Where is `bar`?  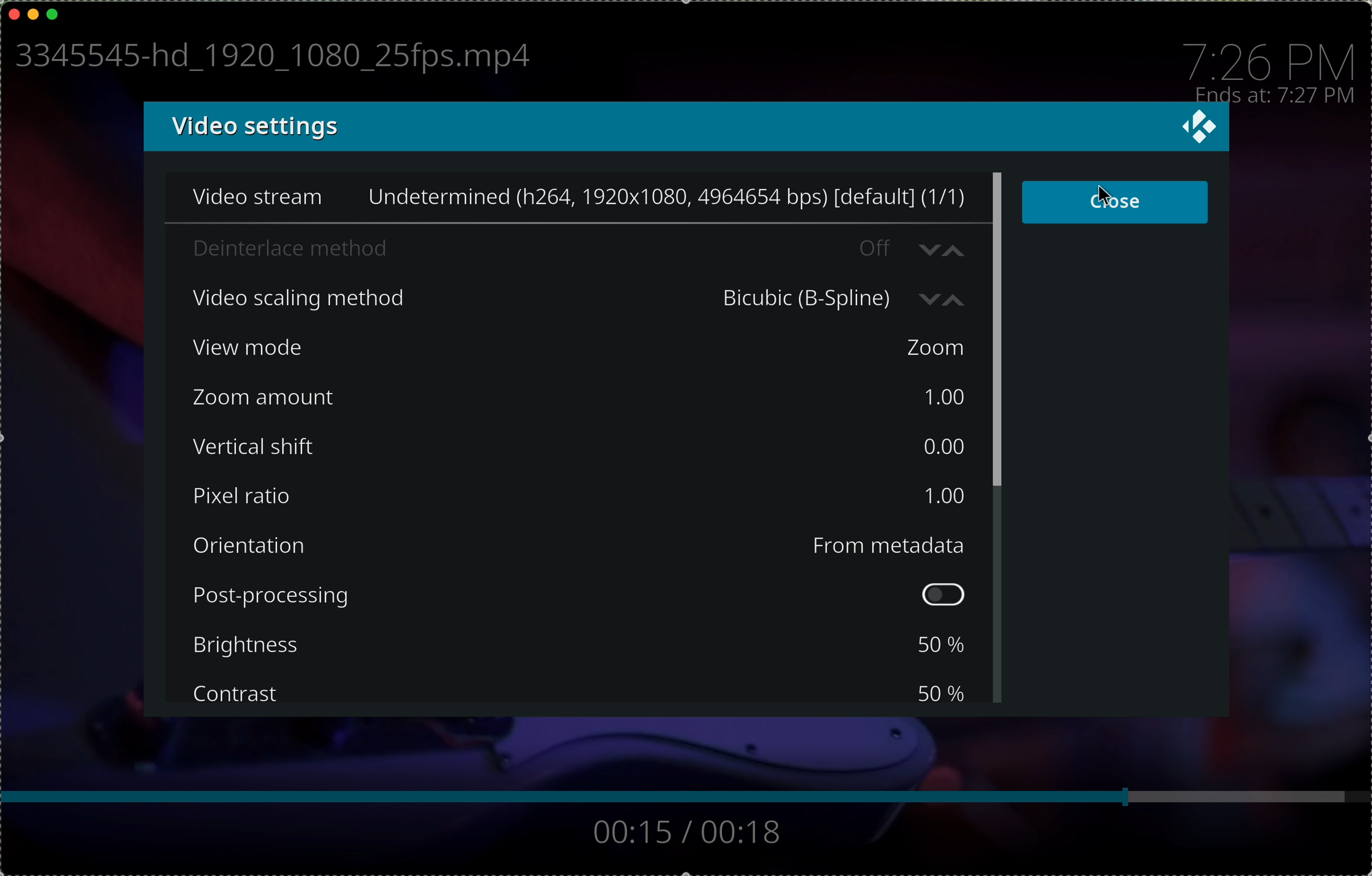 bar is located at coordinates (682, 796).